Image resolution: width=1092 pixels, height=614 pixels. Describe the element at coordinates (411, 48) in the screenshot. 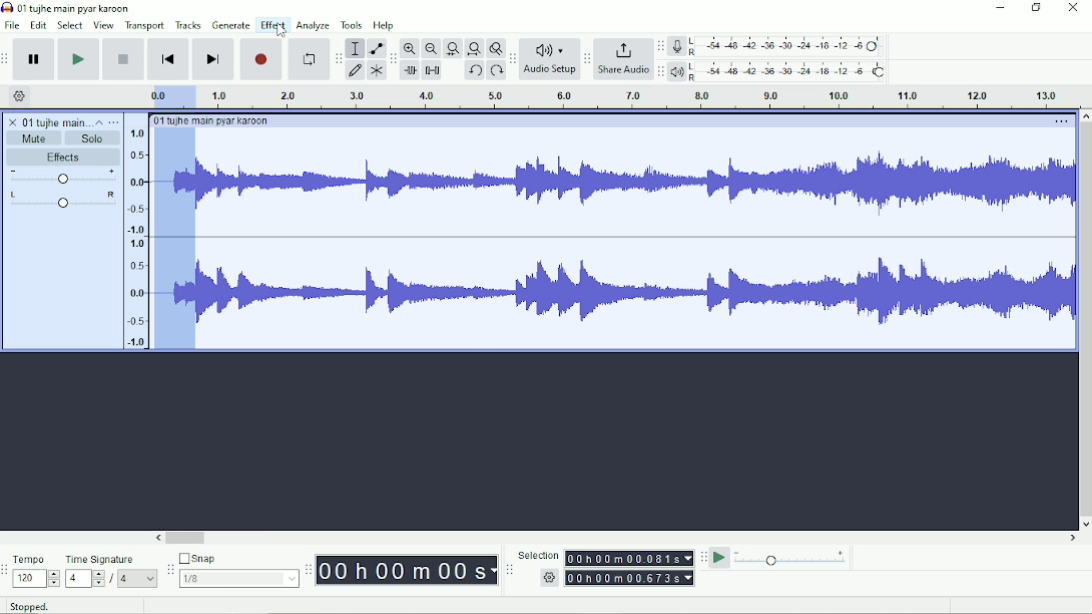

I see `Zoom In` at that location.